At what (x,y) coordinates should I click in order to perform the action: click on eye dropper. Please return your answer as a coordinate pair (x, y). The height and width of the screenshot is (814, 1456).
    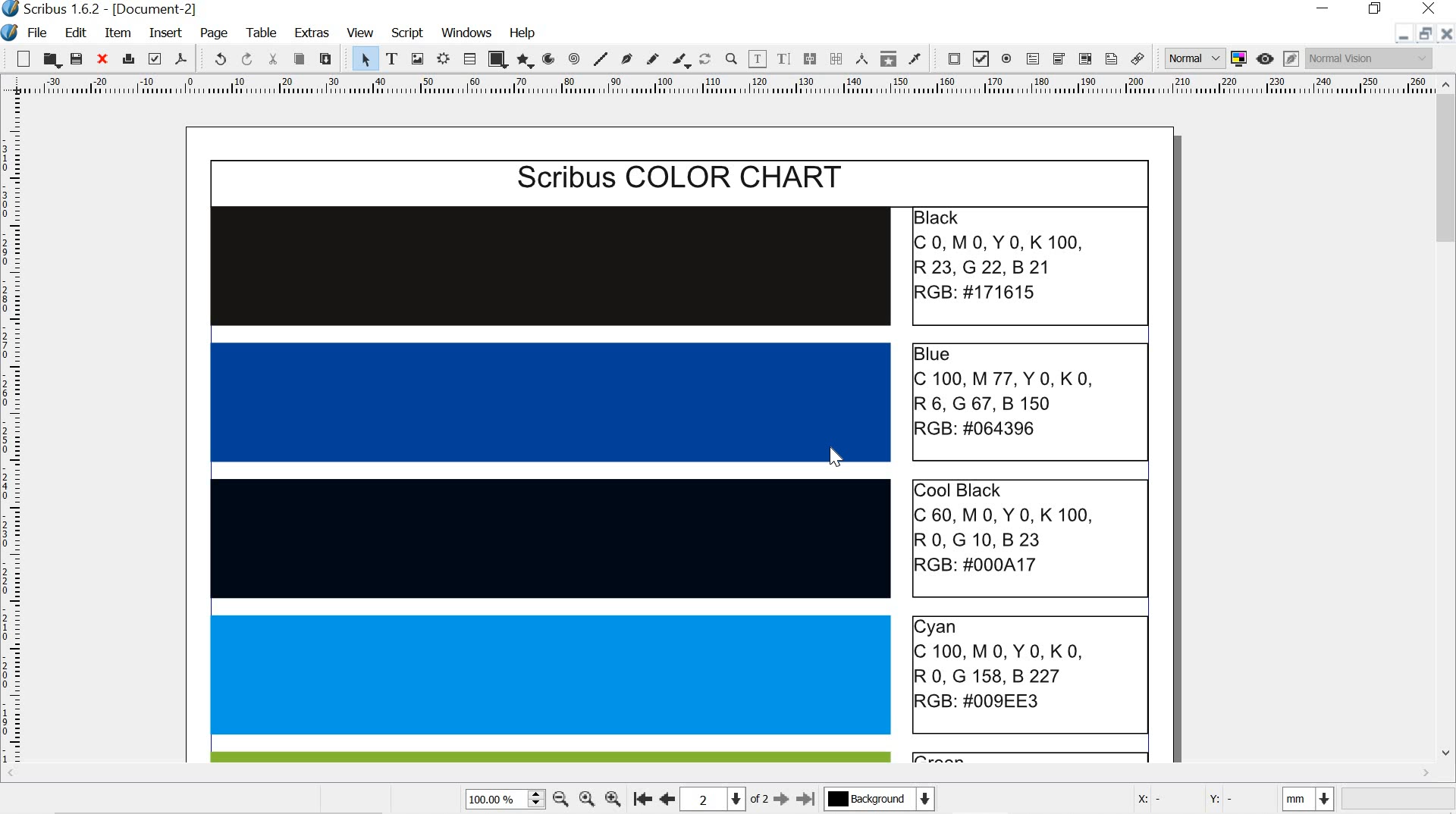
    Looking at the image, I should click on (915, 59).